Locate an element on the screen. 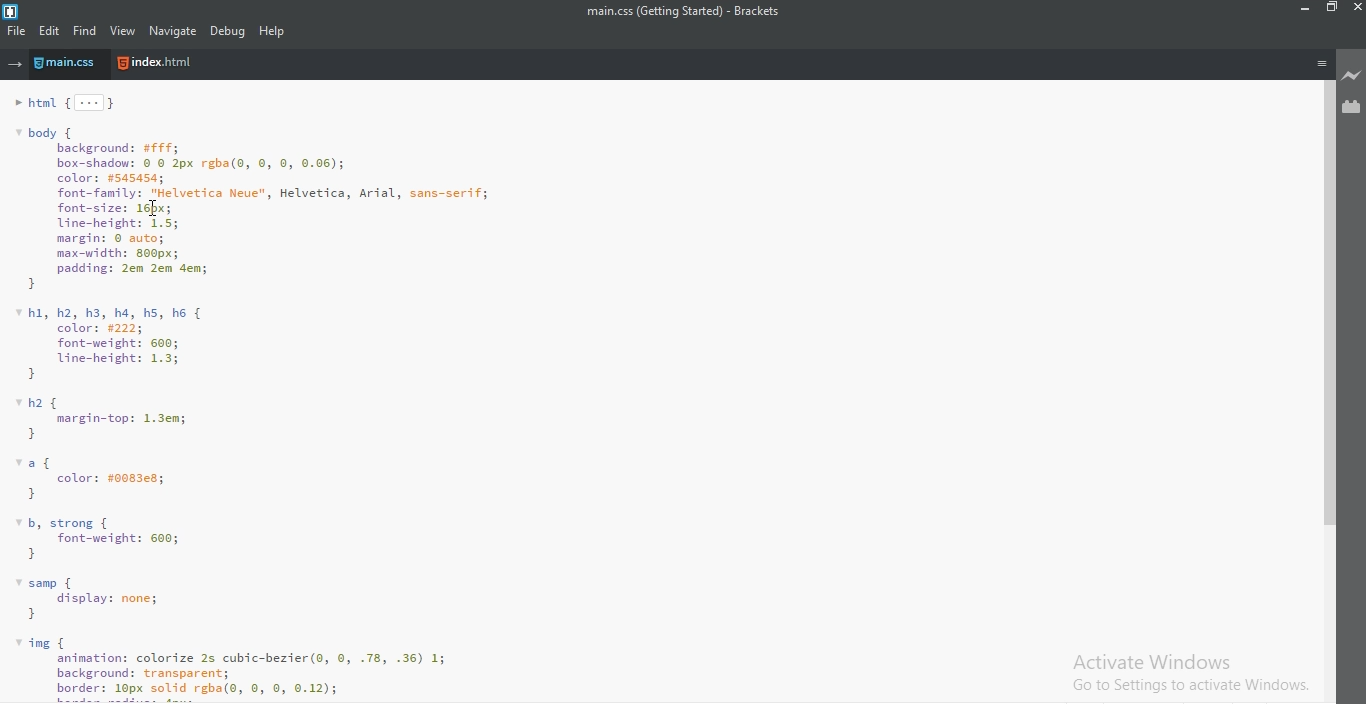 This screenshot has height=704, width=1366. extension manager is located at coordinates (1352, 107).